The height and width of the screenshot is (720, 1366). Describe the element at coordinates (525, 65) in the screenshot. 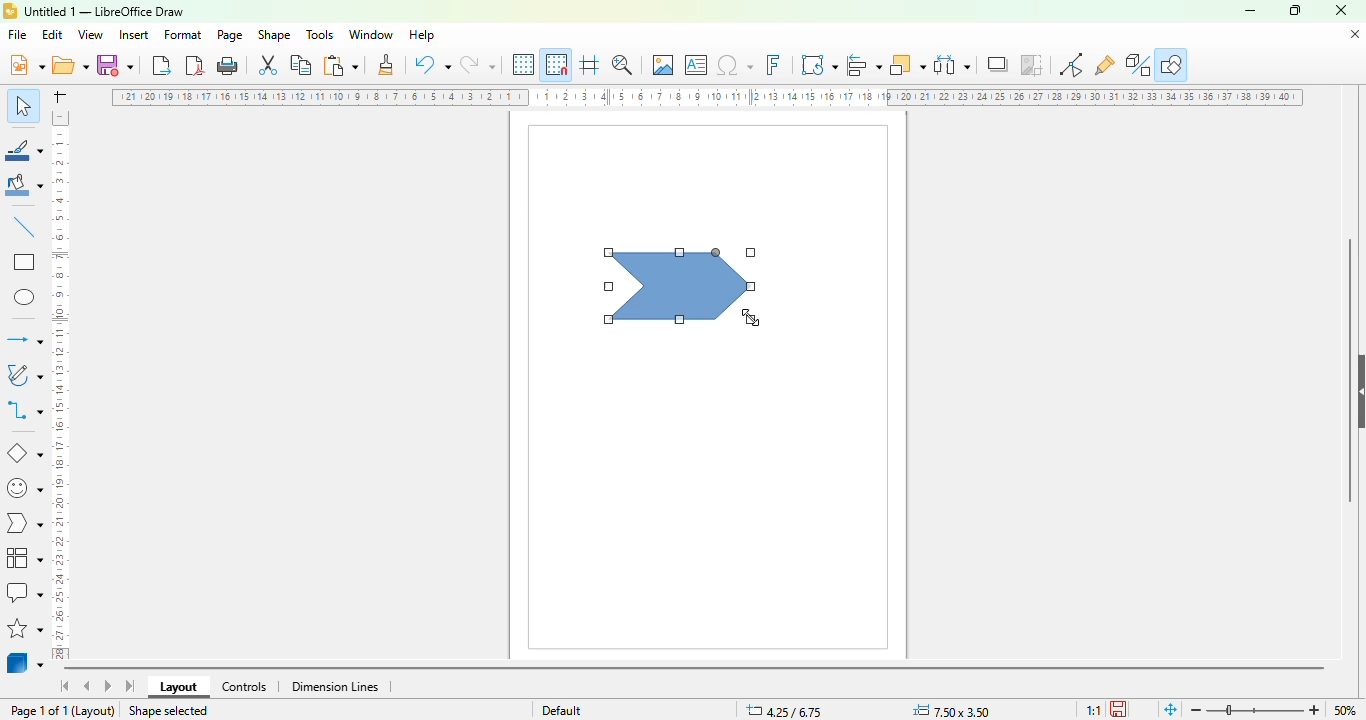

I see `display grid` at that location.